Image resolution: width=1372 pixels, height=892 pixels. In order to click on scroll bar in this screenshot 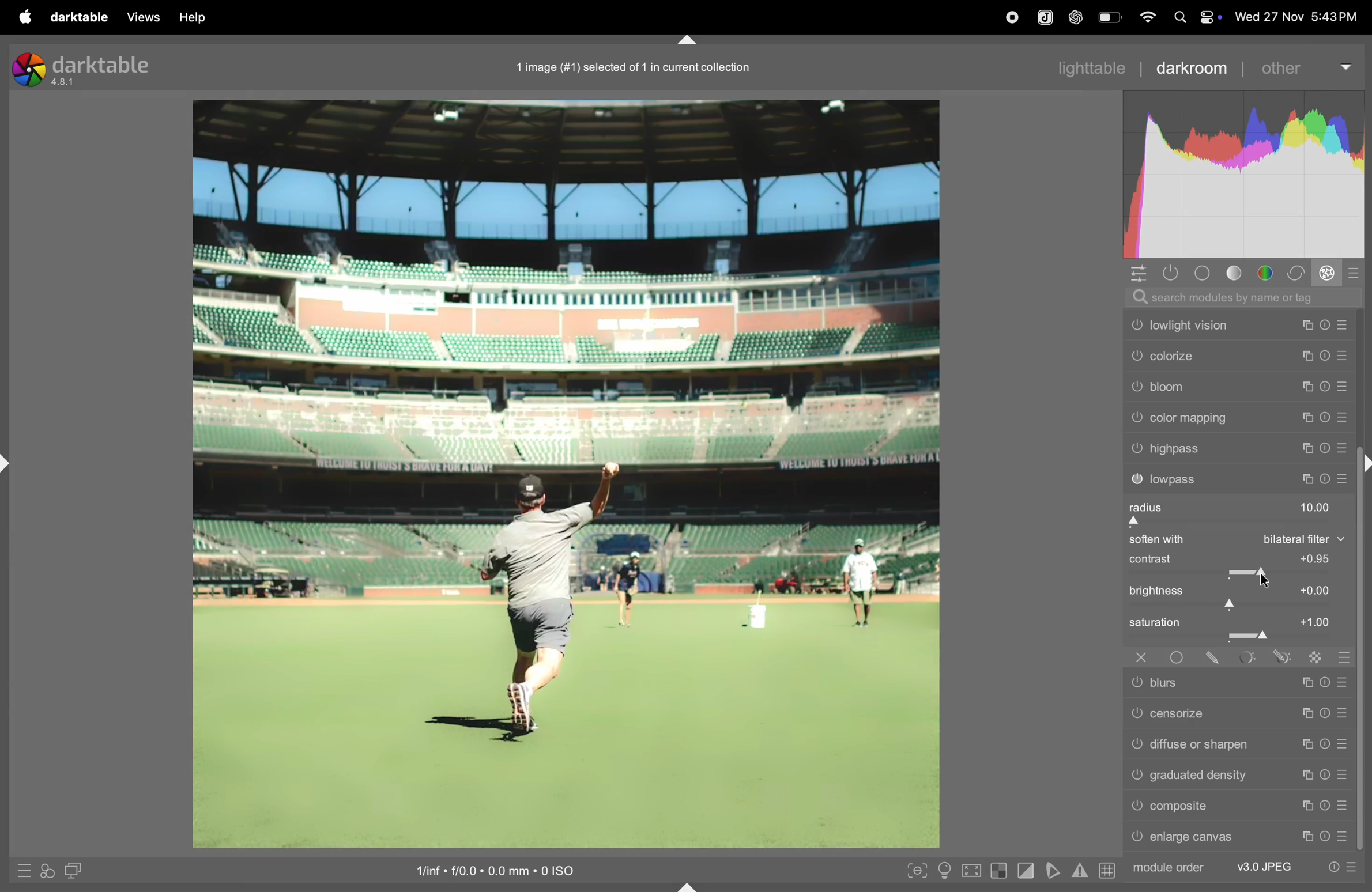, I will do `click(1364, 671)`.